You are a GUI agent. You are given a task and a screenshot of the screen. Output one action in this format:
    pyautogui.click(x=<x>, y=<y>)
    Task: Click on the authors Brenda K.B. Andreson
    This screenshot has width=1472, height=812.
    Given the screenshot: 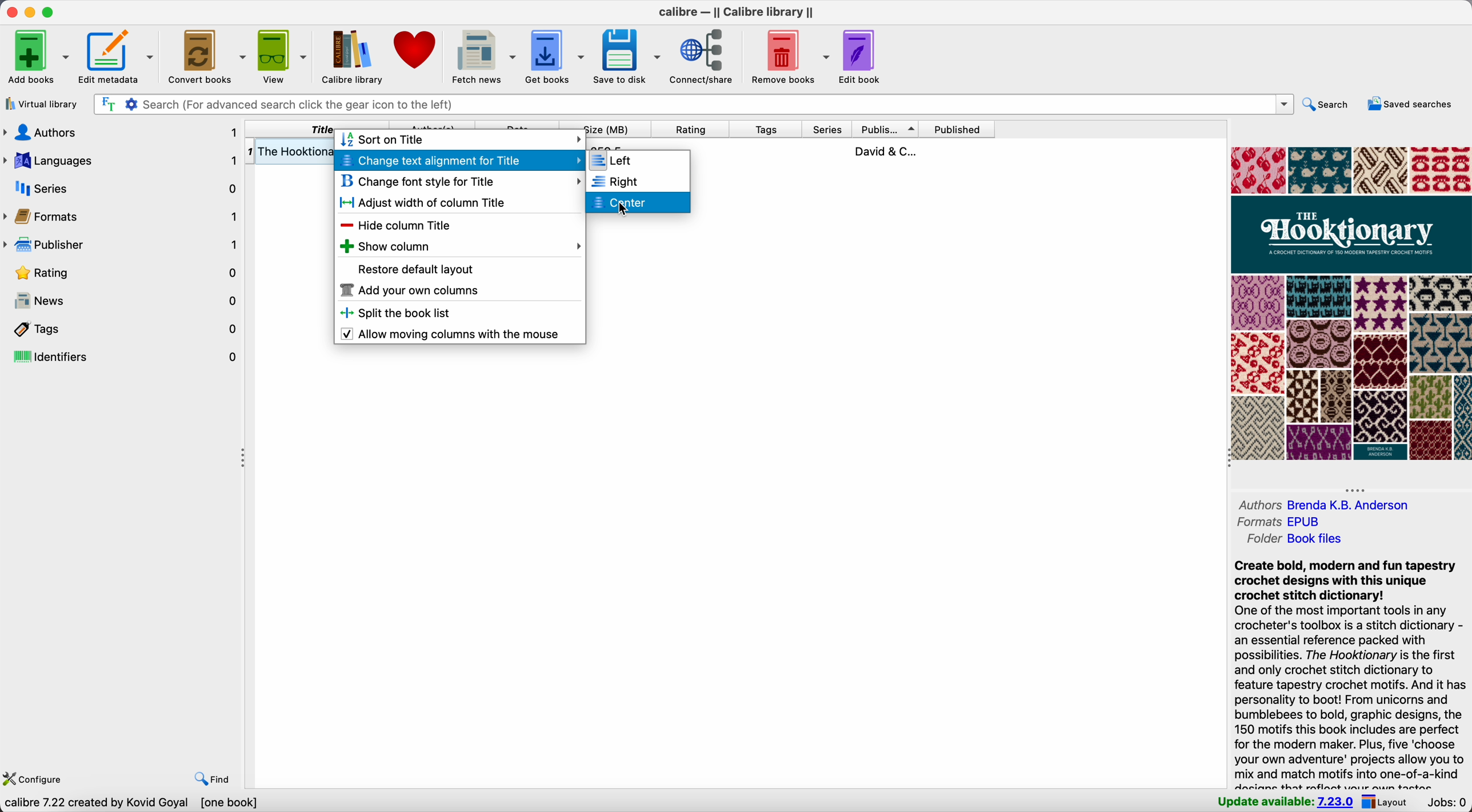 What is the action you would take?
    pyautogui.click(x=1324, y=504)
    